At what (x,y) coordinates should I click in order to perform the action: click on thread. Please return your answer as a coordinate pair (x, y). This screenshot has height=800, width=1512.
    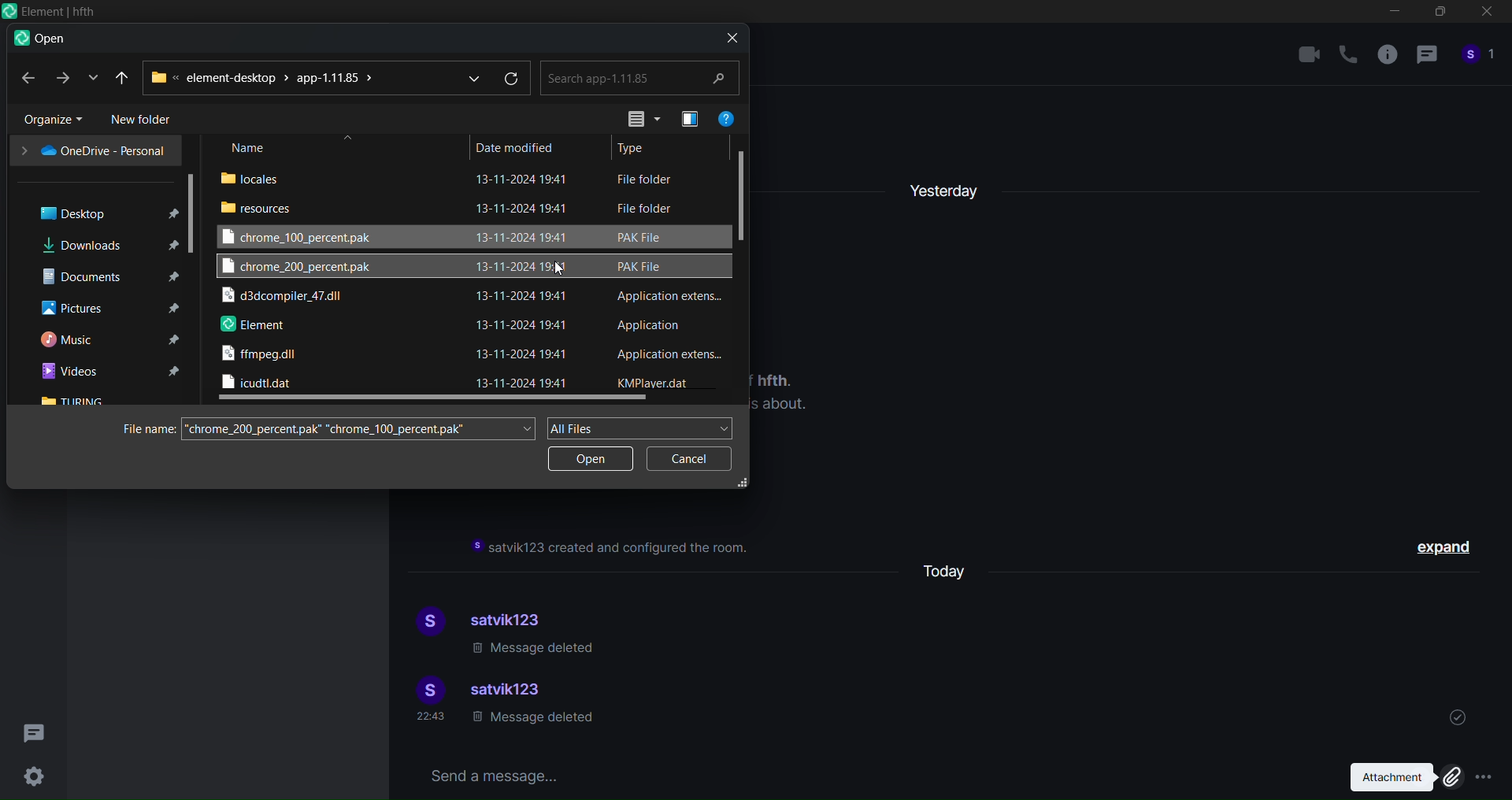
    Looking at the image, I should click on (1426, 57).